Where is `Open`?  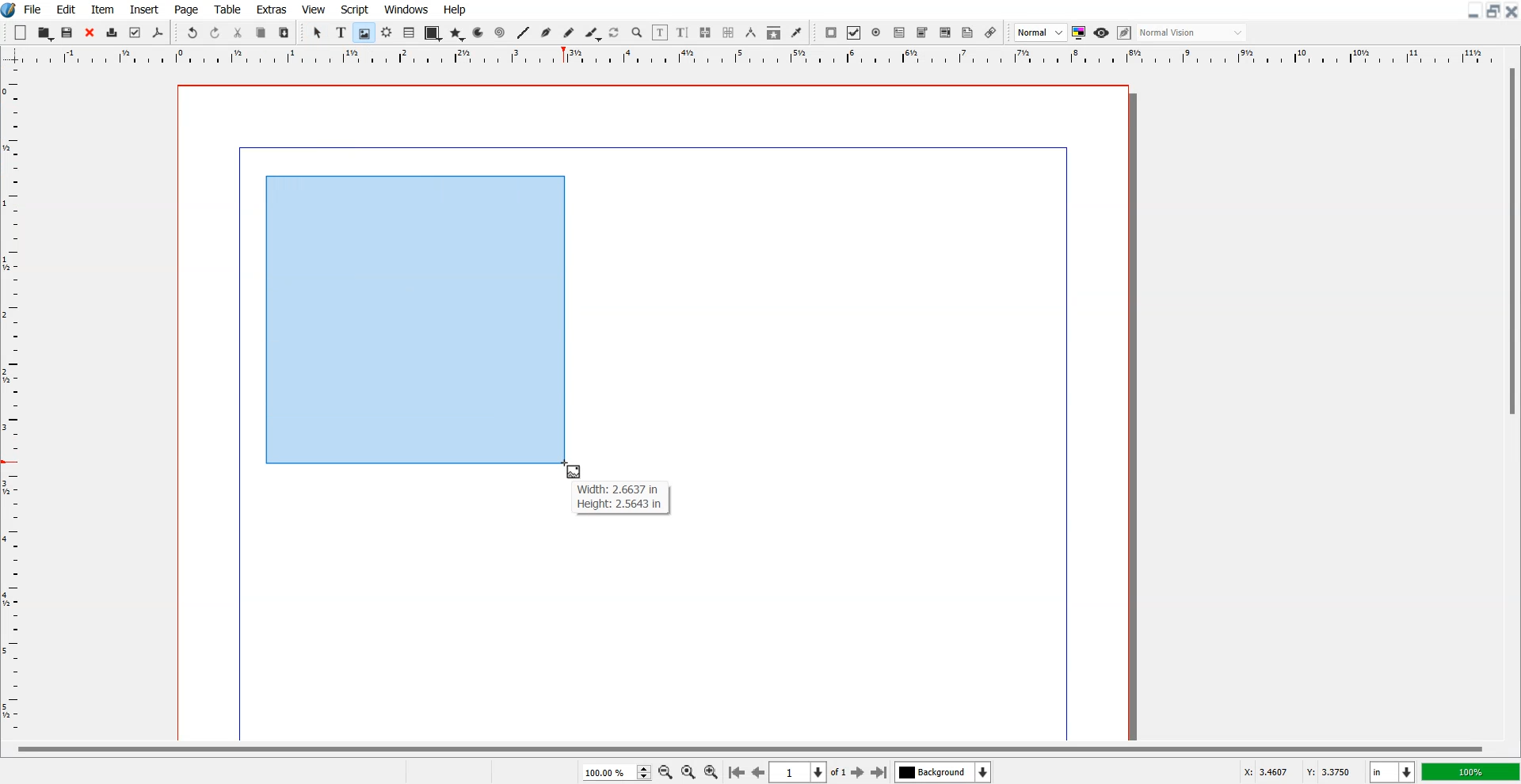 Open is located at coordinates (45, 32).